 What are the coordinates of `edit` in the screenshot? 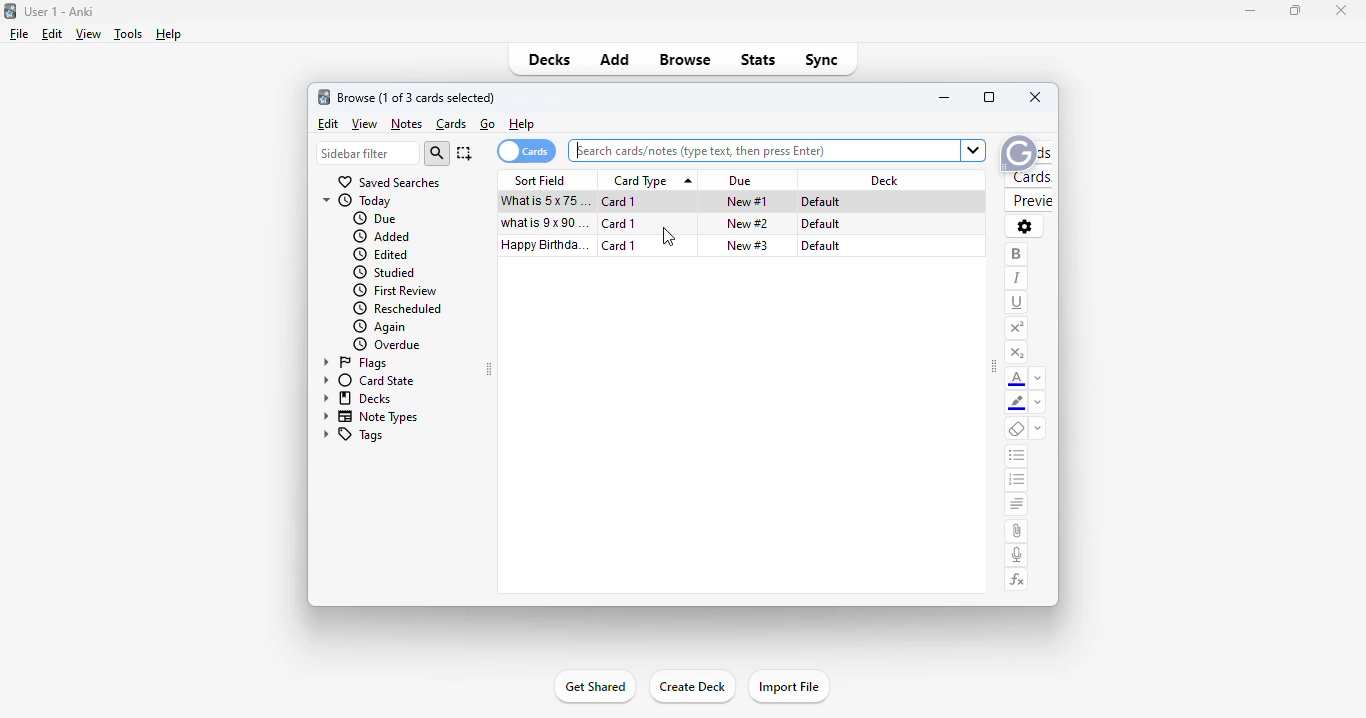 It's located at (53, 34).